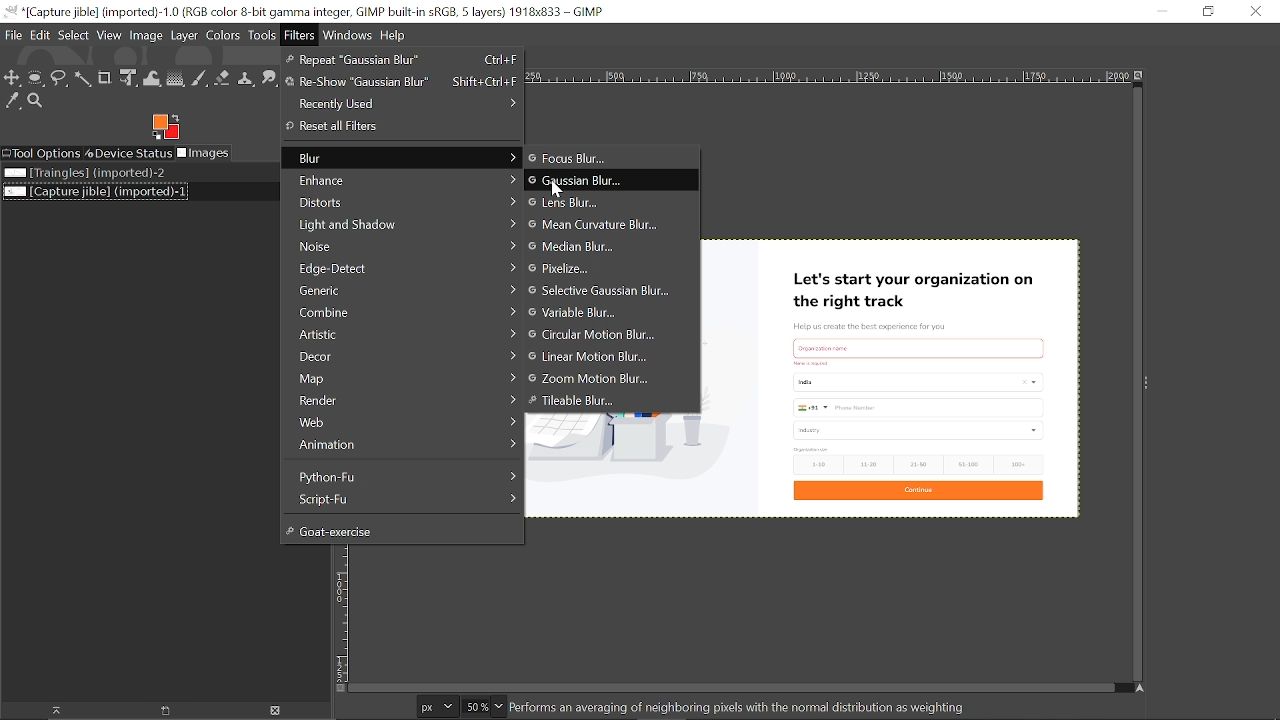 The image size is (1280, 720). Describe the element at coordinates (153, 79) in the screenshot. I see `Wrap text tool` at that location.